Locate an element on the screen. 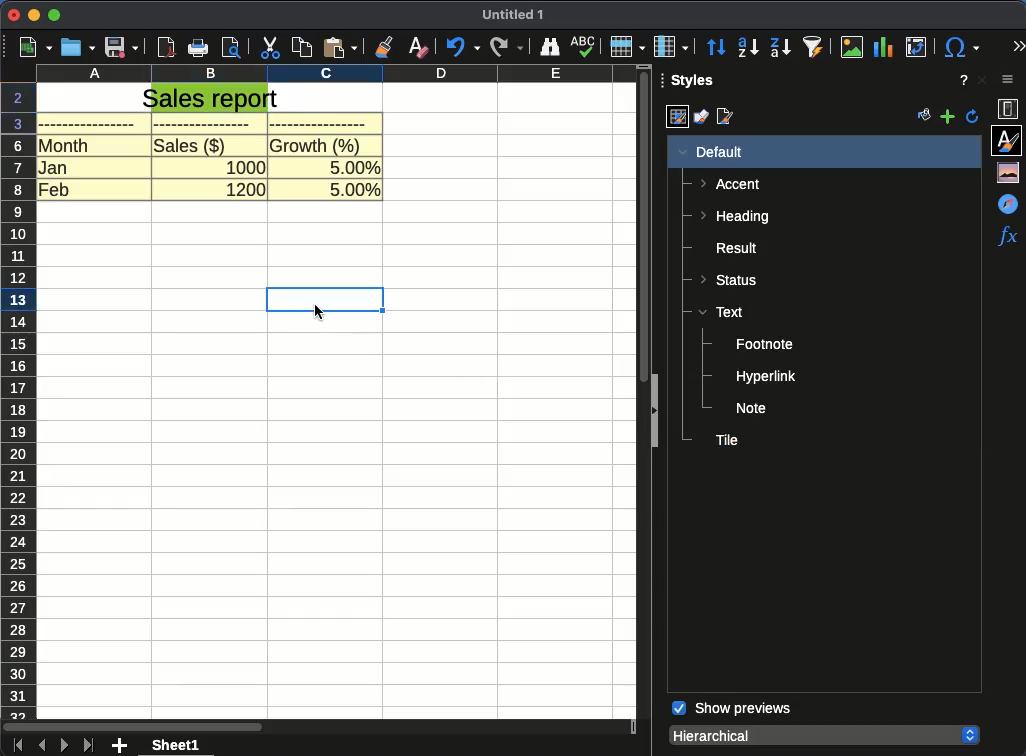 This screenshot has height=756, width=1026. finder is located at coordinates (548, 47).